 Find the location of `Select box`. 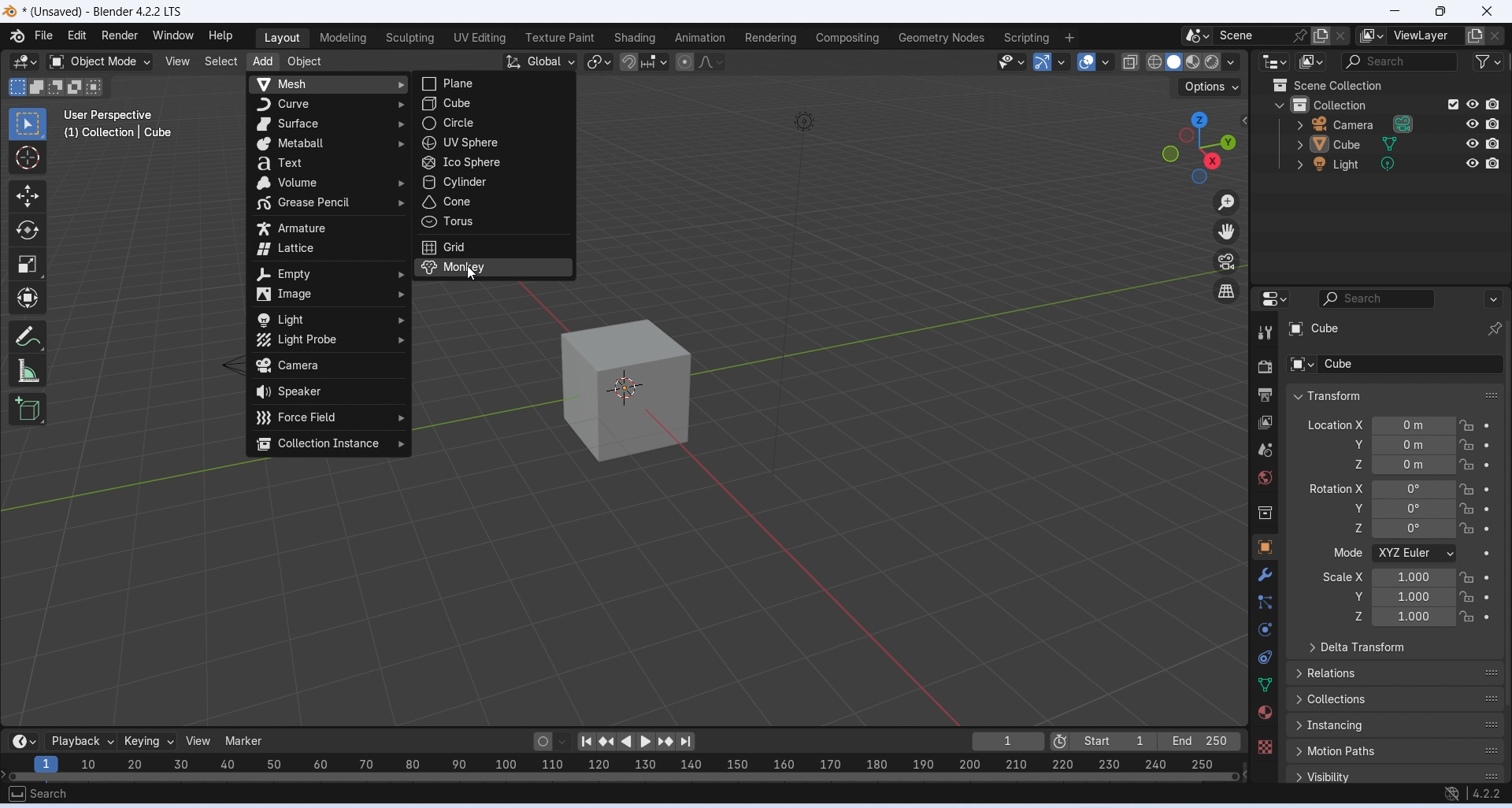

Select box is located at coordinates (25, 124).